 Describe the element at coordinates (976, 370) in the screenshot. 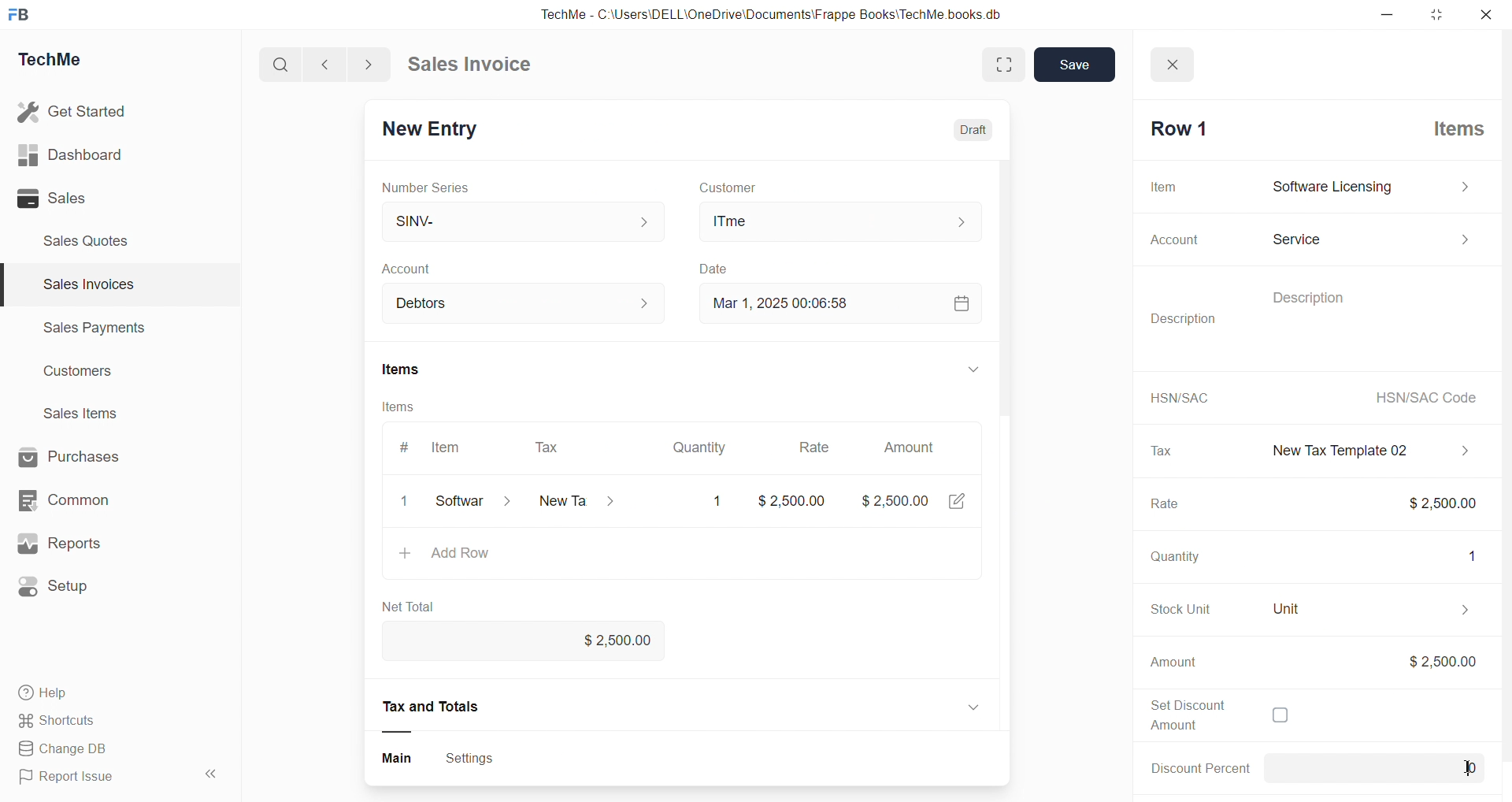

I see `doopdown` at that location.